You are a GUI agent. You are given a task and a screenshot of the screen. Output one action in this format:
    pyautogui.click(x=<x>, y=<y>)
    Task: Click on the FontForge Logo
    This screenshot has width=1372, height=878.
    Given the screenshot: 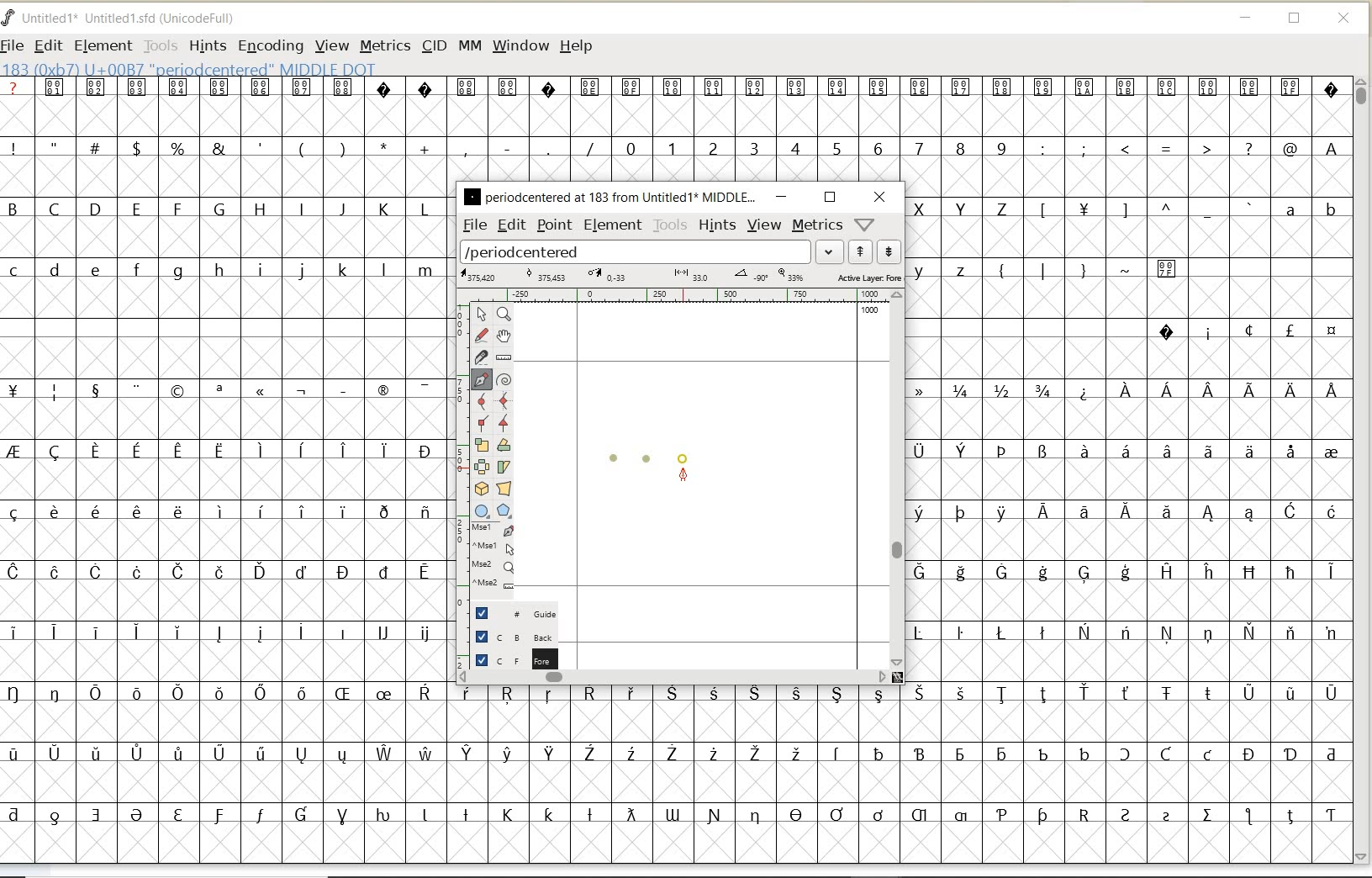 What is the action you would take?
    pyautogui.click(x=9, y=16)
    